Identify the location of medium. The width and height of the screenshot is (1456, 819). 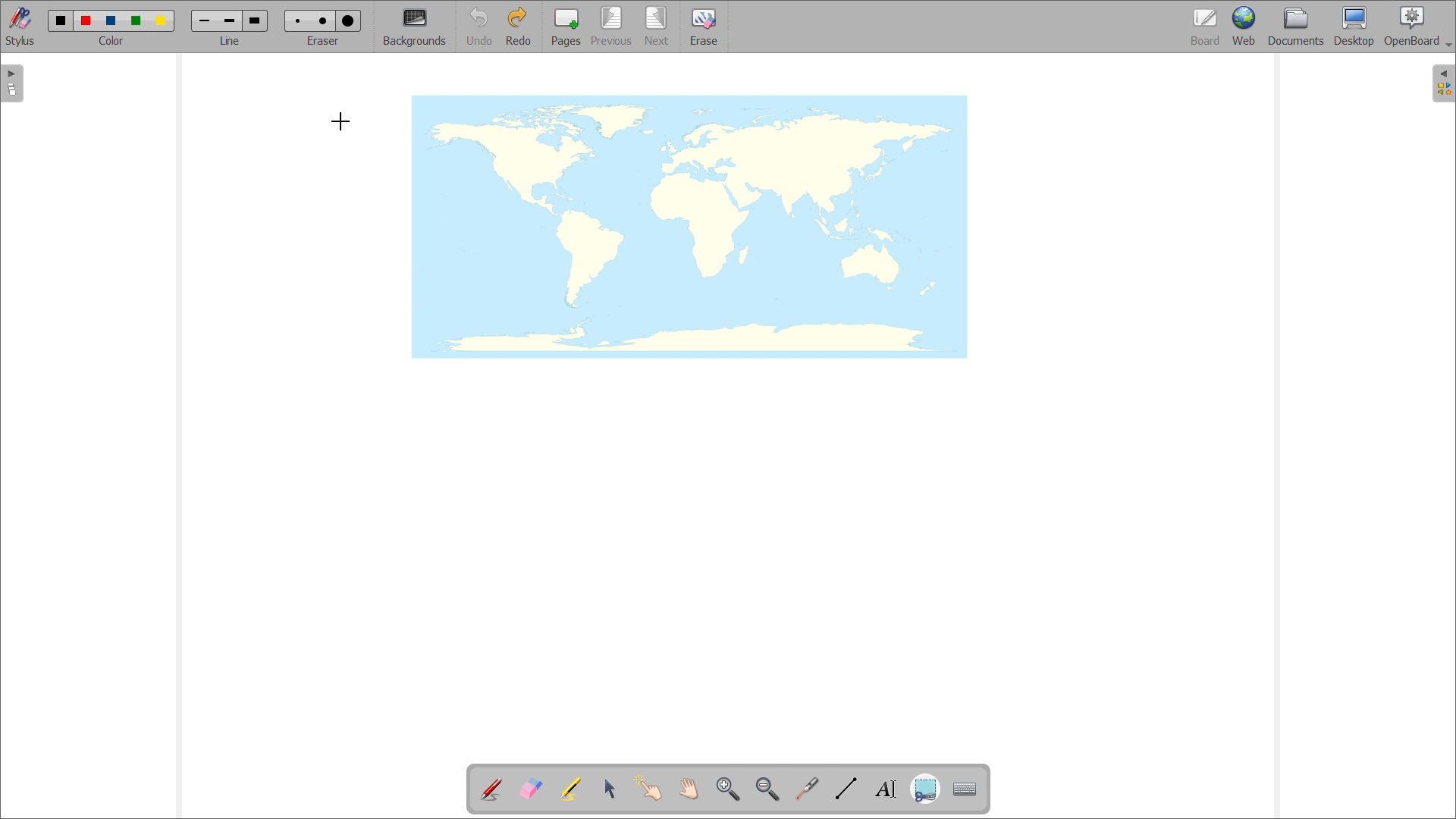
(229, 21).